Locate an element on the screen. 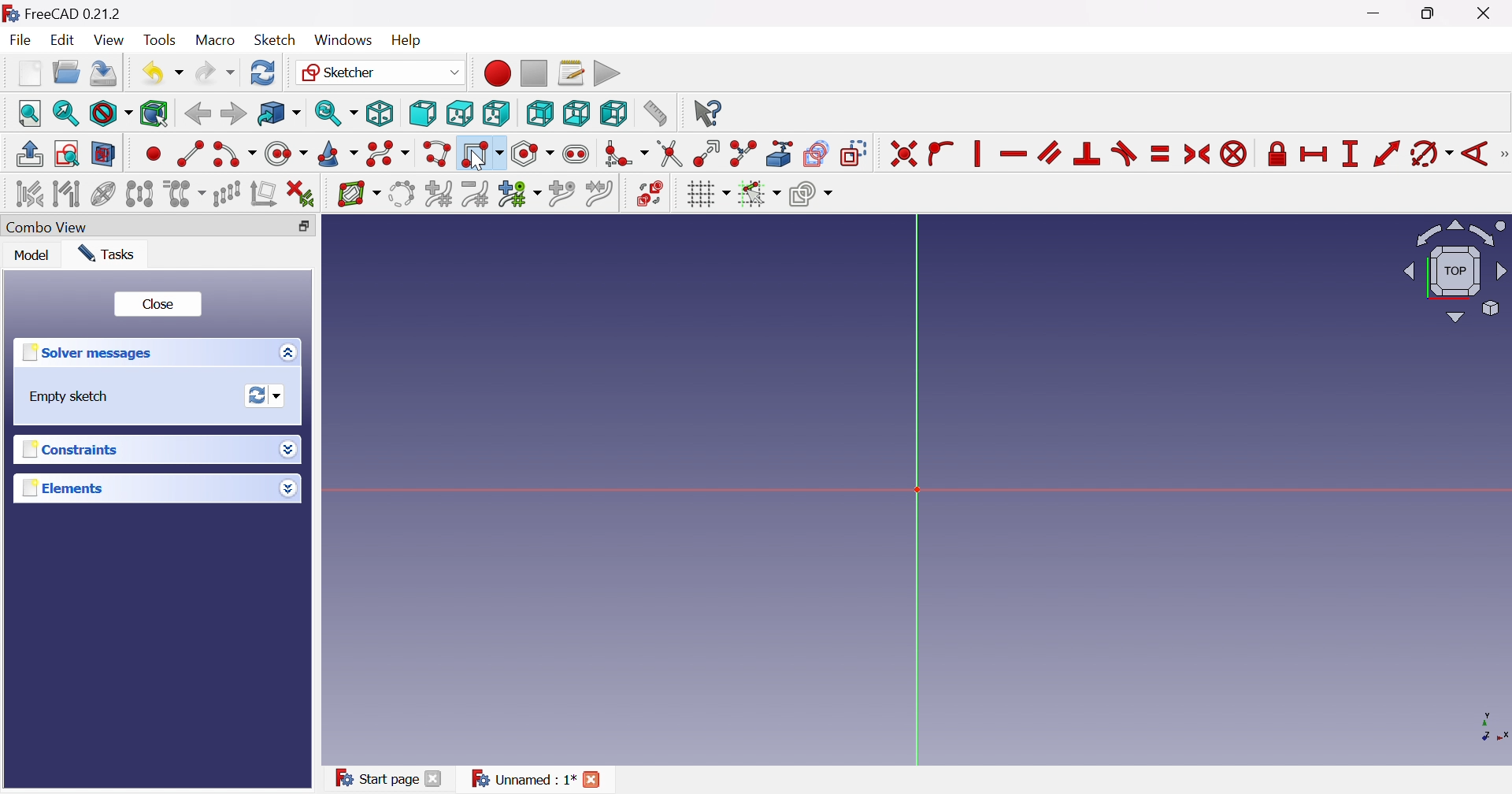  Edit is located at coordinates (64, 41).